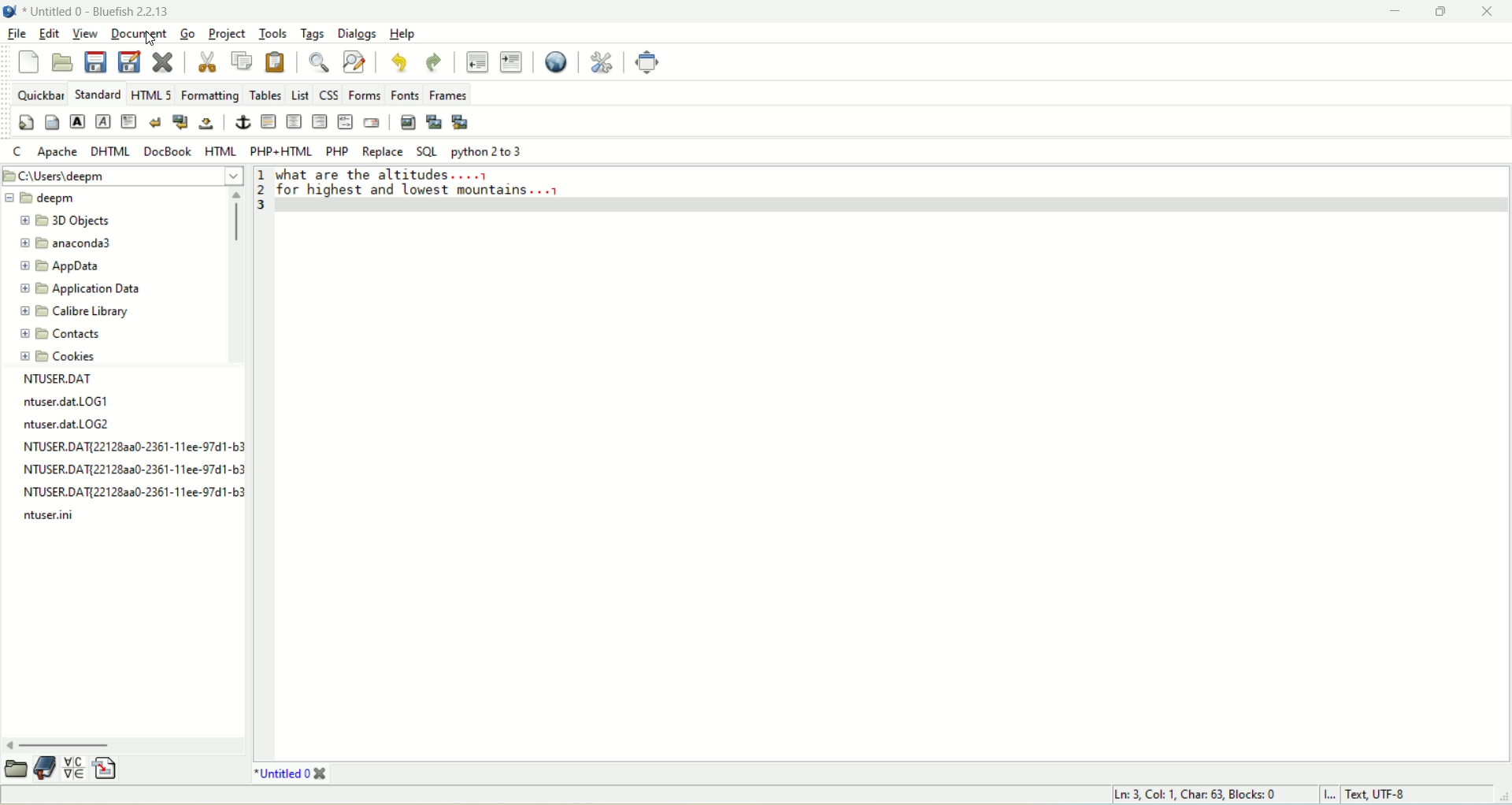 This screenshot has width=1512, height=805. I want to click on title, so click(289, 774).